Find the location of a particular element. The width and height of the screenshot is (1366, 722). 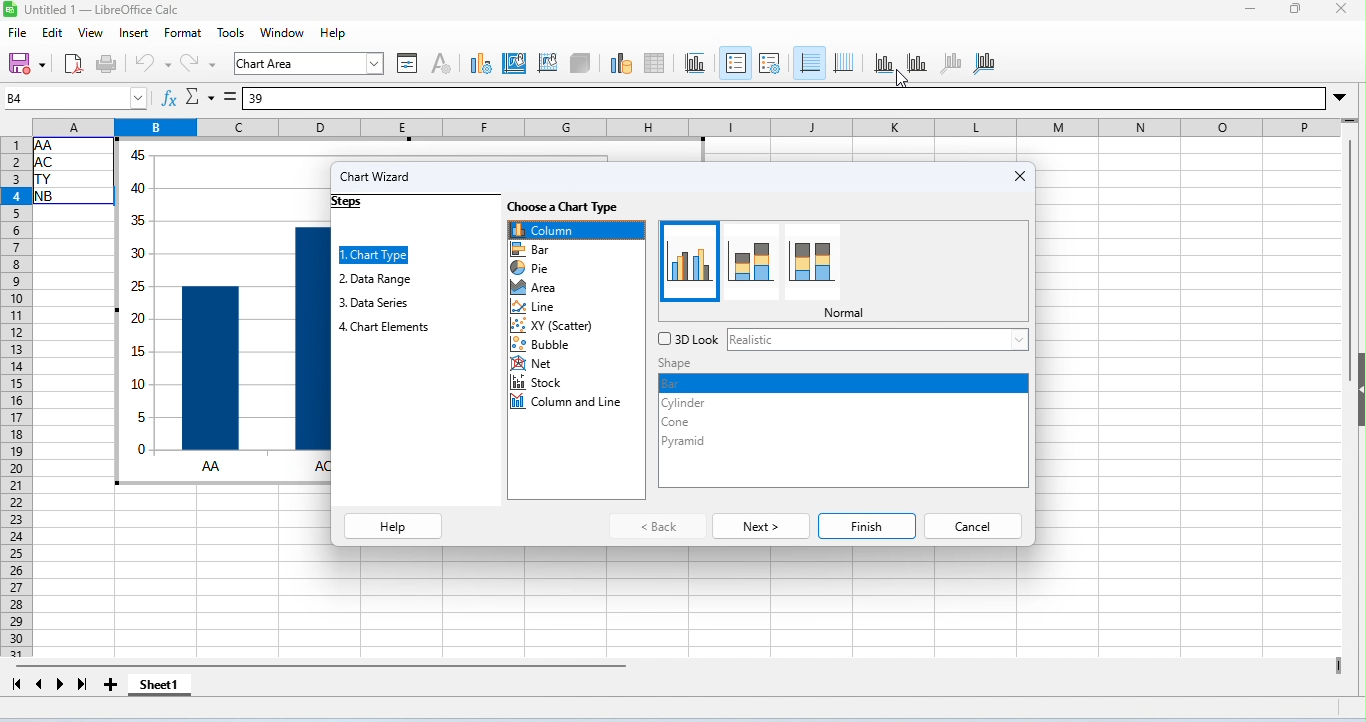

edit is located at coordinates (53, 34).